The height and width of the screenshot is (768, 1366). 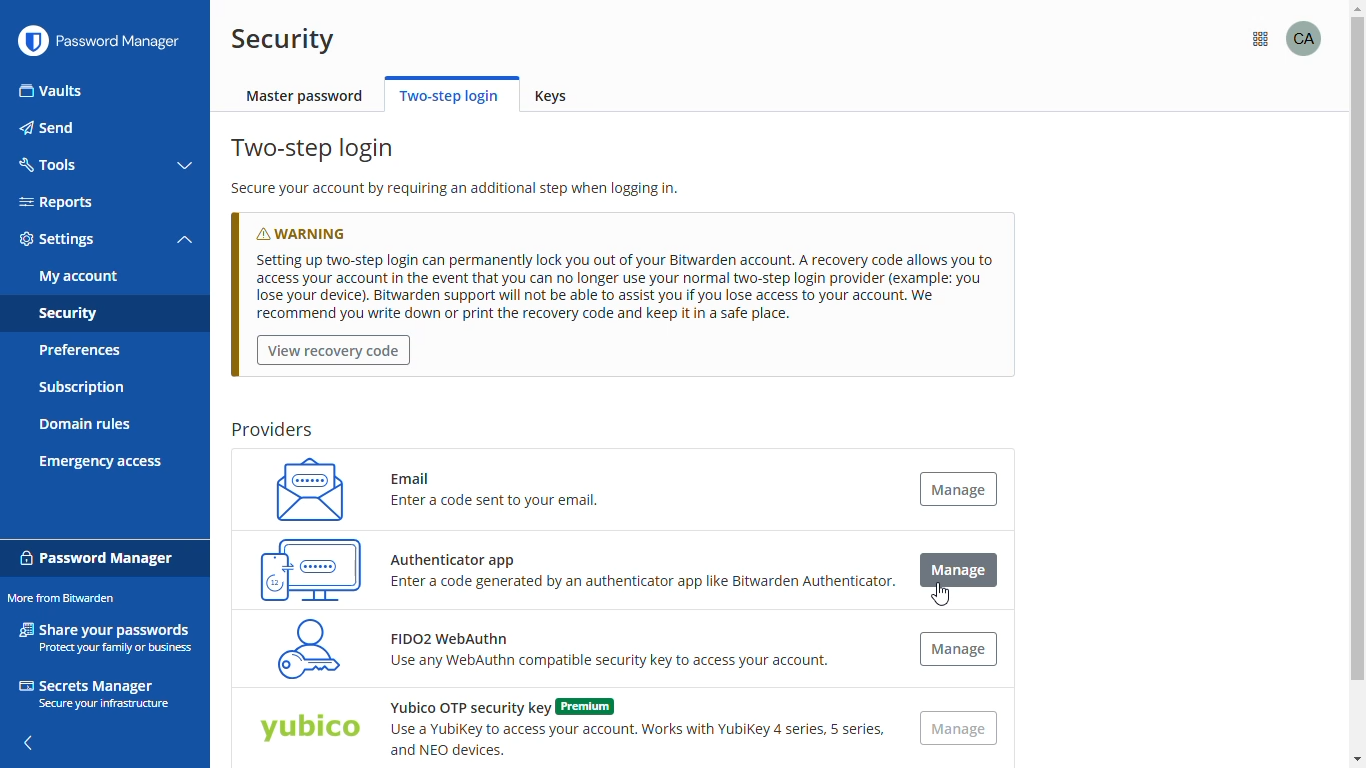 What do you see at coordinates (321, 229) in the screenshot?
I see `warning` at bounding box center [321, 229].